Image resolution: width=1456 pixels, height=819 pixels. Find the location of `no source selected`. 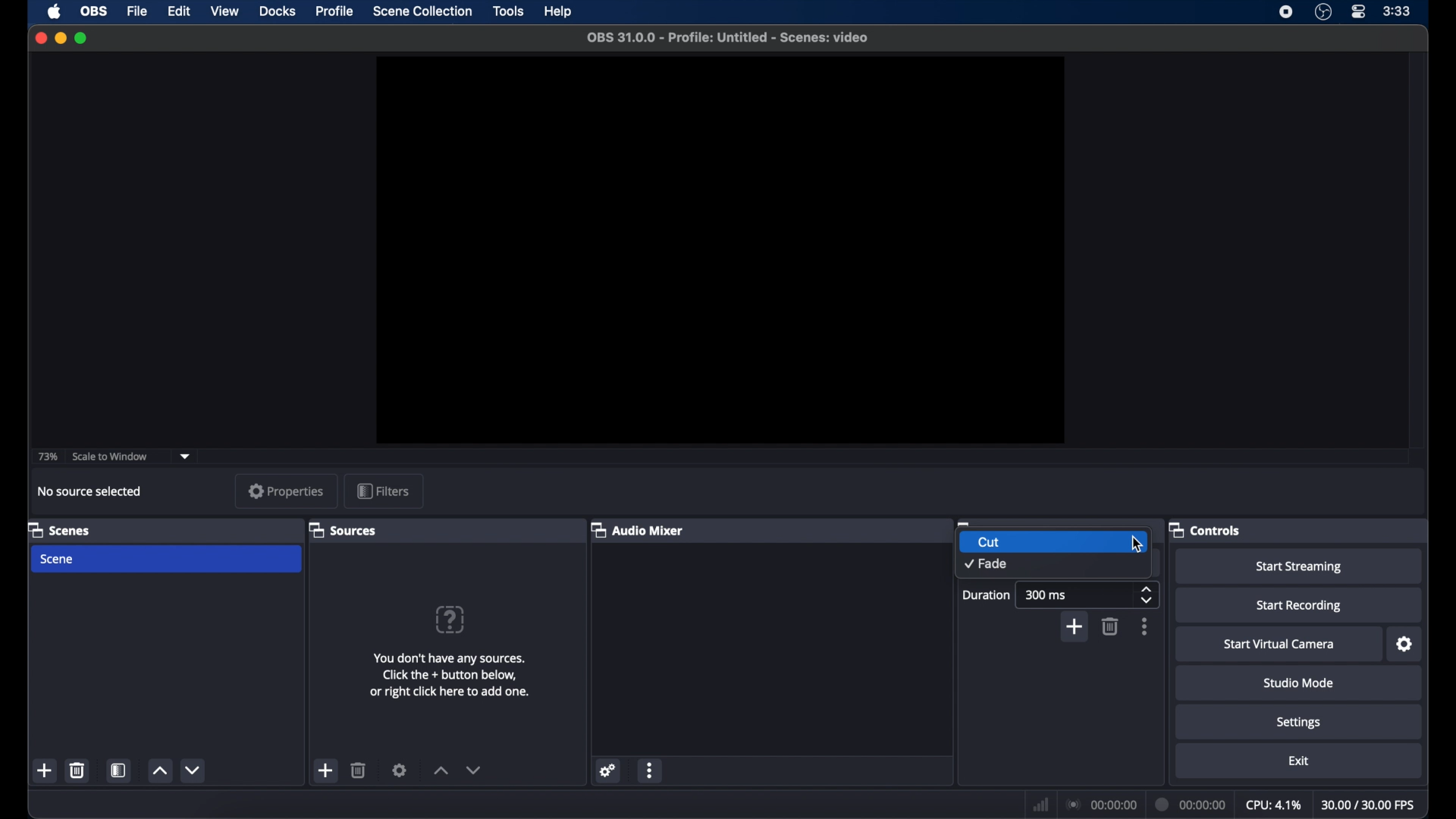

no source selected is located at coordinates (90, 491).